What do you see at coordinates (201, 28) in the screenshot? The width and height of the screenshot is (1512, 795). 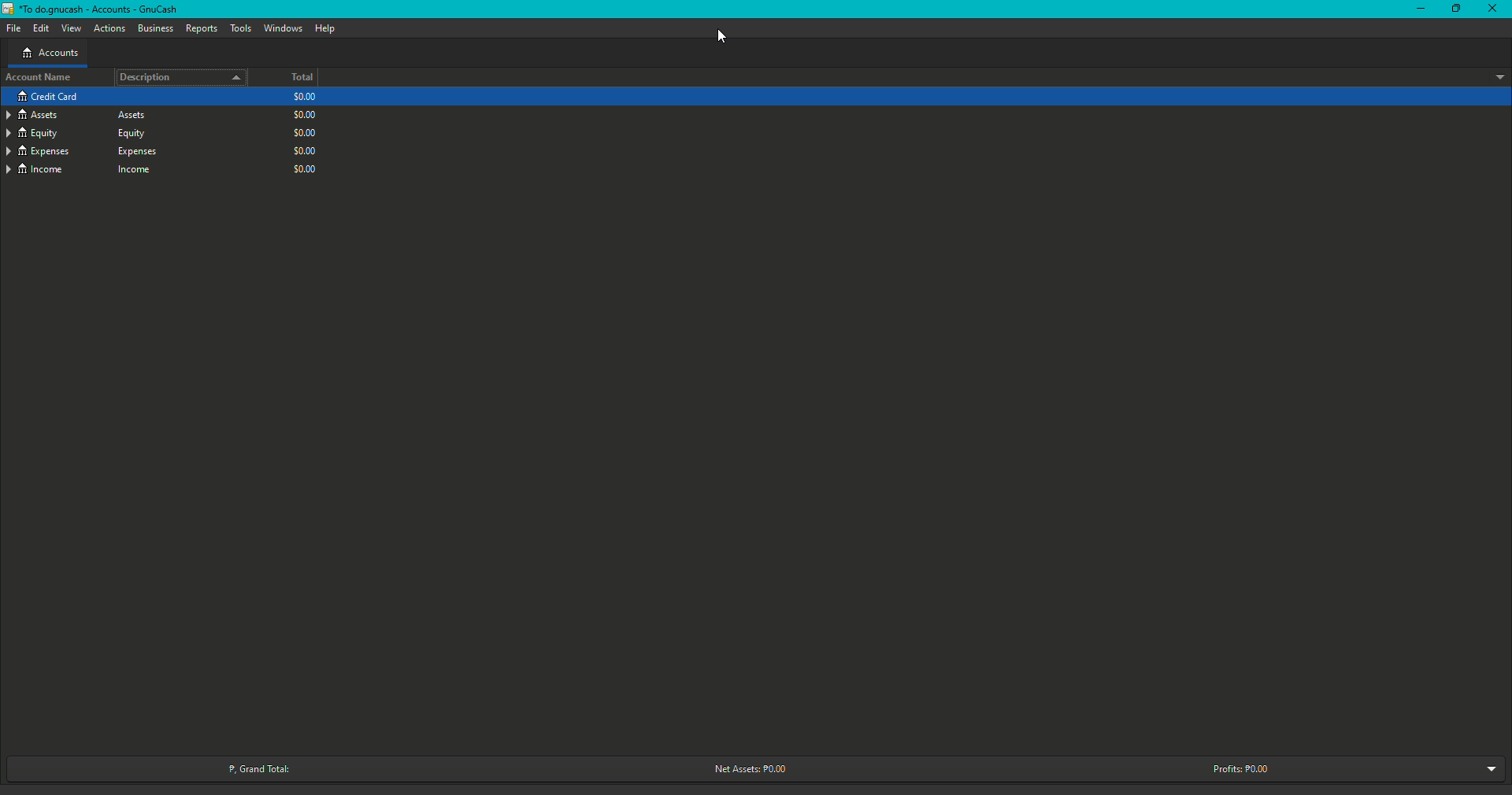 I see `Reports` at bounding box center [201, 28].